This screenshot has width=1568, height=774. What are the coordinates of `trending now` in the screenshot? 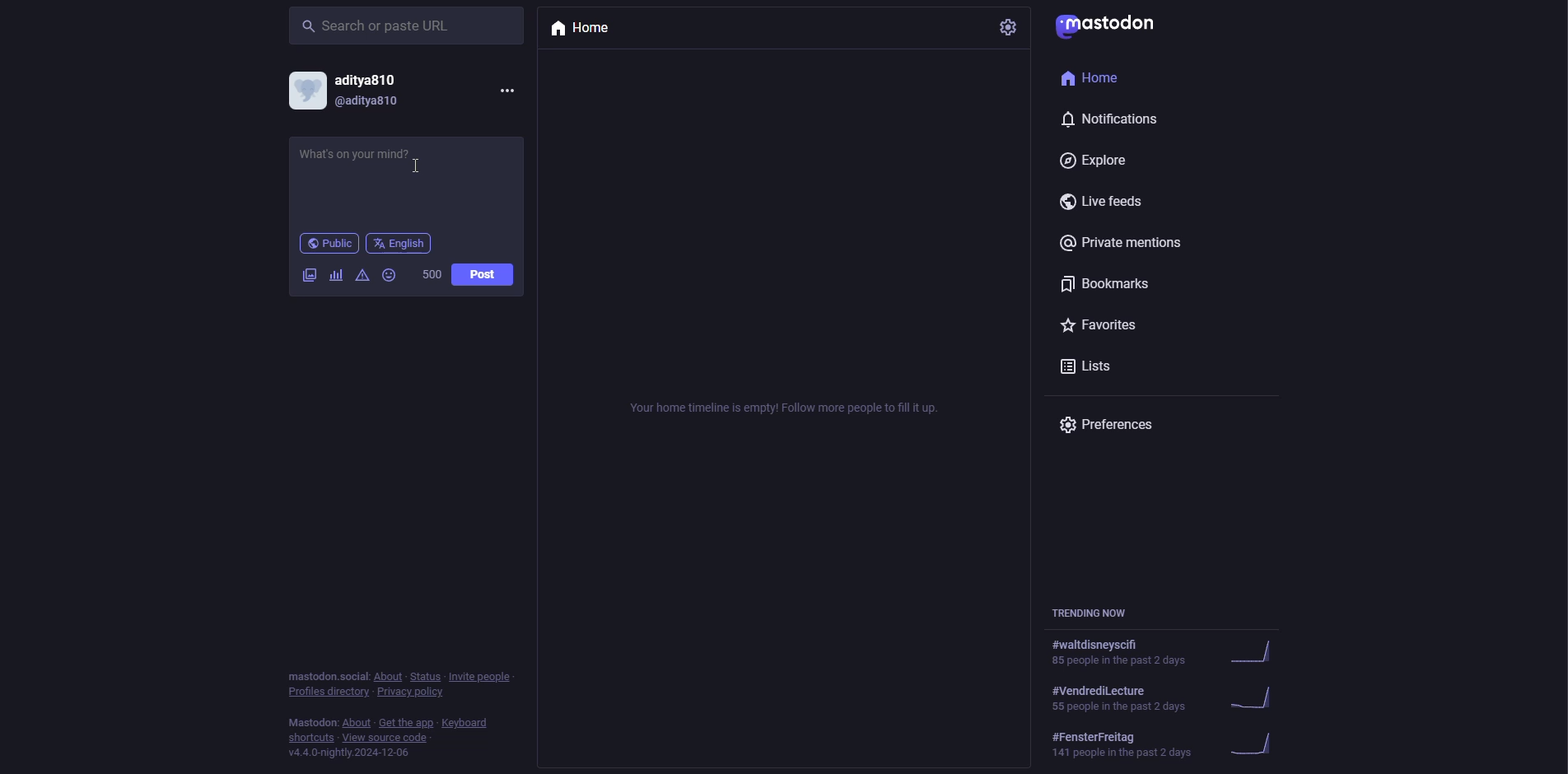 It's located at (1092, 613).